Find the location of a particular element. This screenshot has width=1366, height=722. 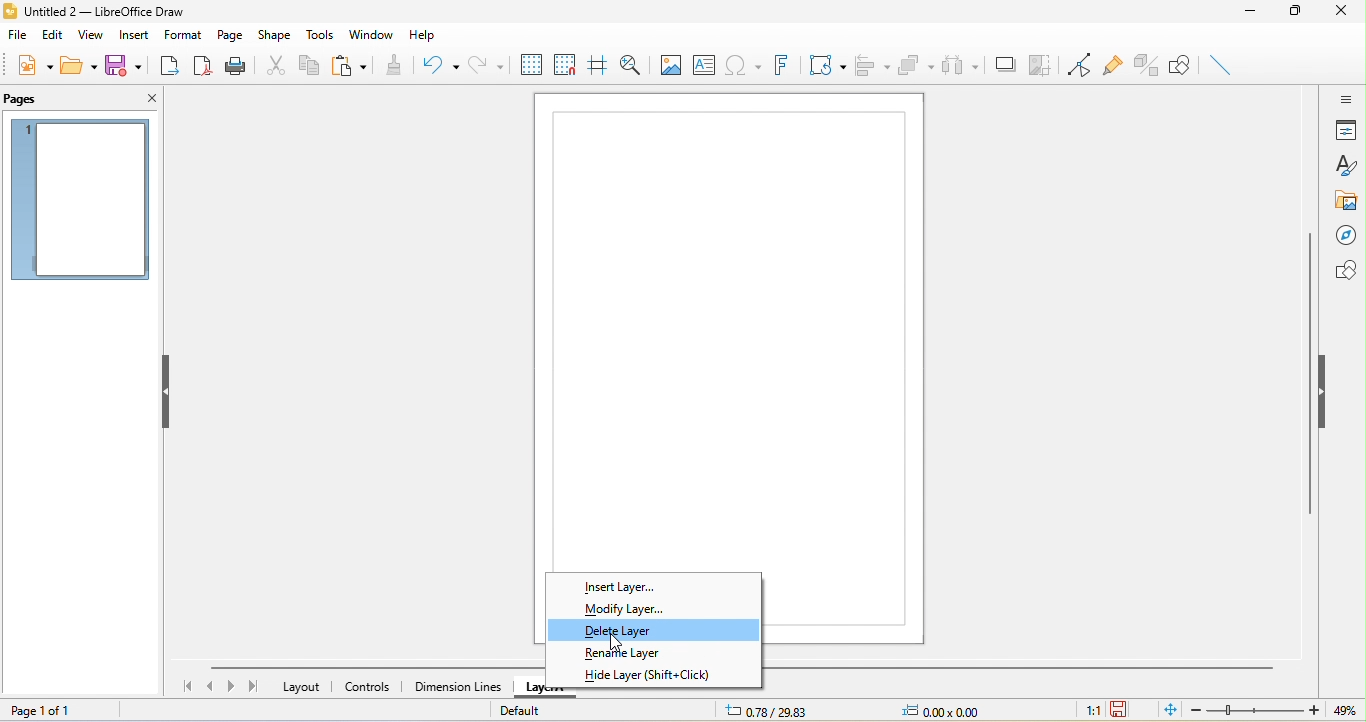

Page Pane is located at coordinates (1147, 65).